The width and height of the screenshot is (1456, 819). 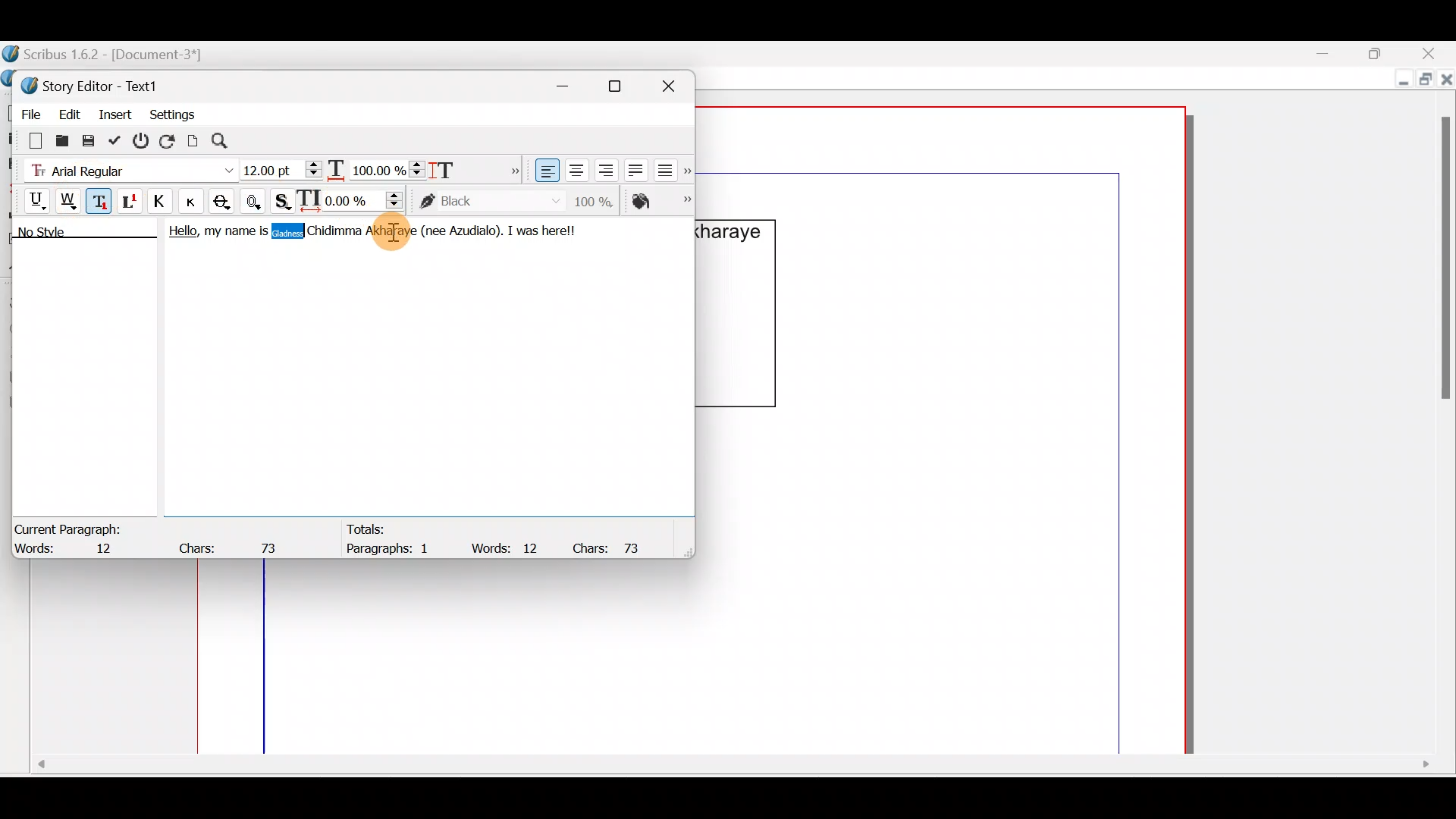 I want to click on Cursor, so click(x=393, y=234).